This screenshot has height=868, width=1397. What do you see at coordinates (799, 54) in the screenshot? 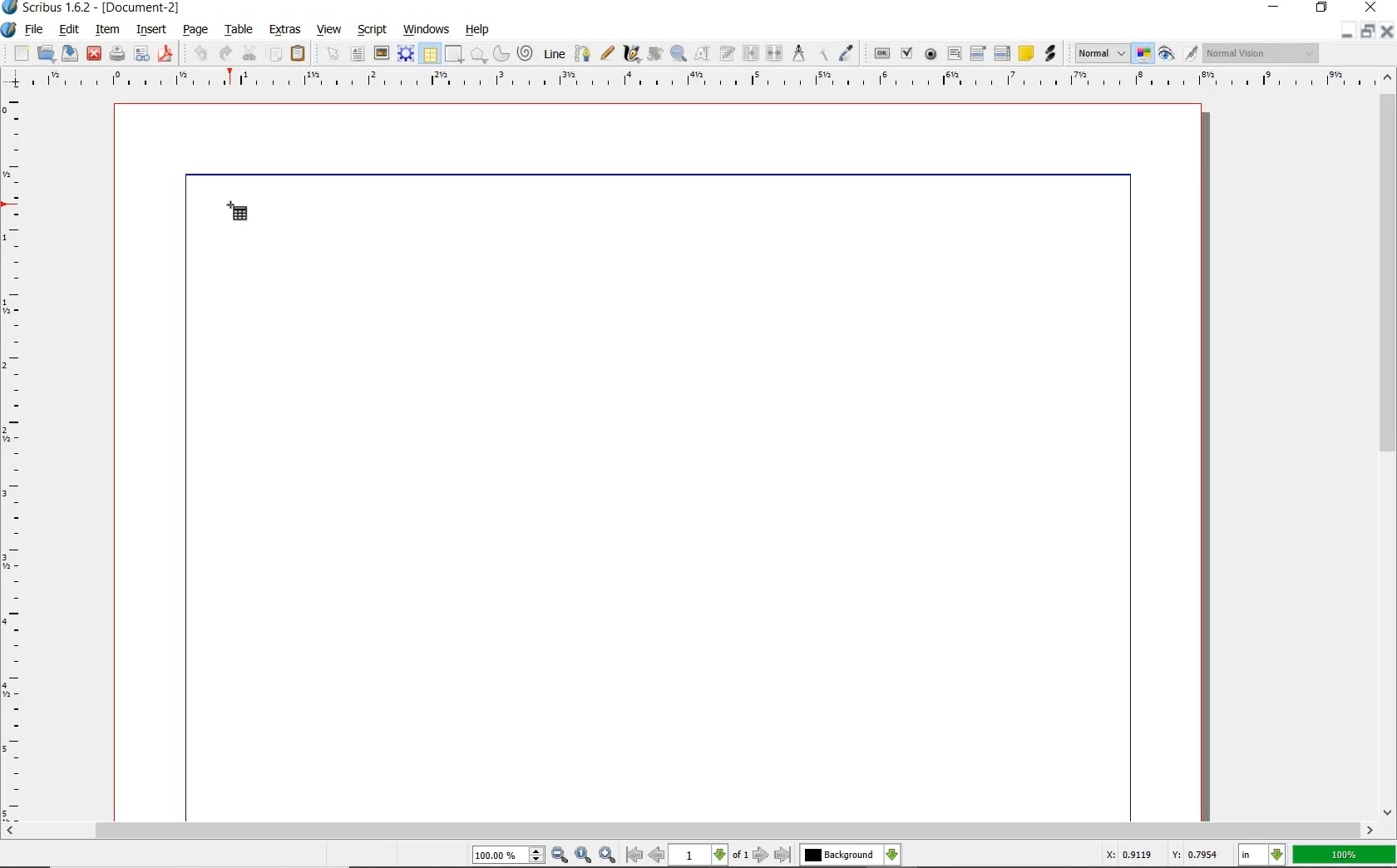
I see `measurements` at bounding box center [799, 54].